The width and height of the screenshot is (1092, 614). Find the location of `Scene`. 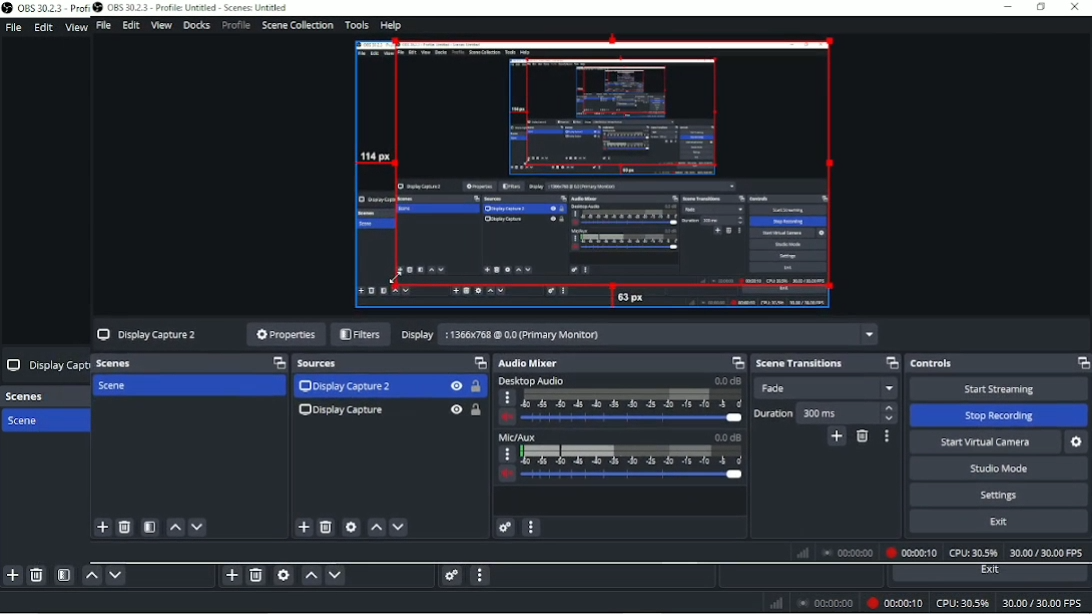

Scene is located at coordinates (125, 387).